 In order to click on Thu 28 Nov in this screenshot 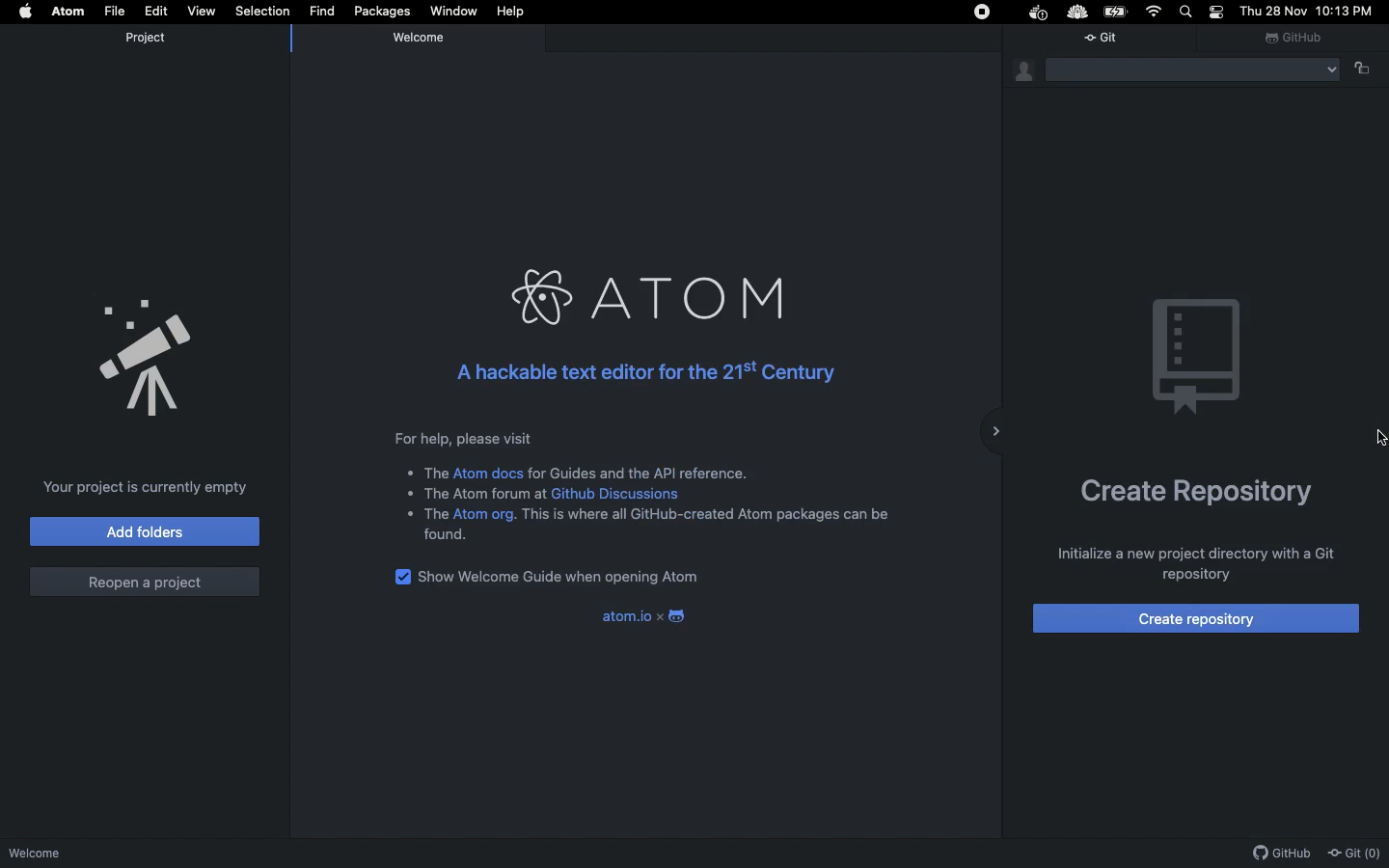, I will do `click(1272, 12)`.